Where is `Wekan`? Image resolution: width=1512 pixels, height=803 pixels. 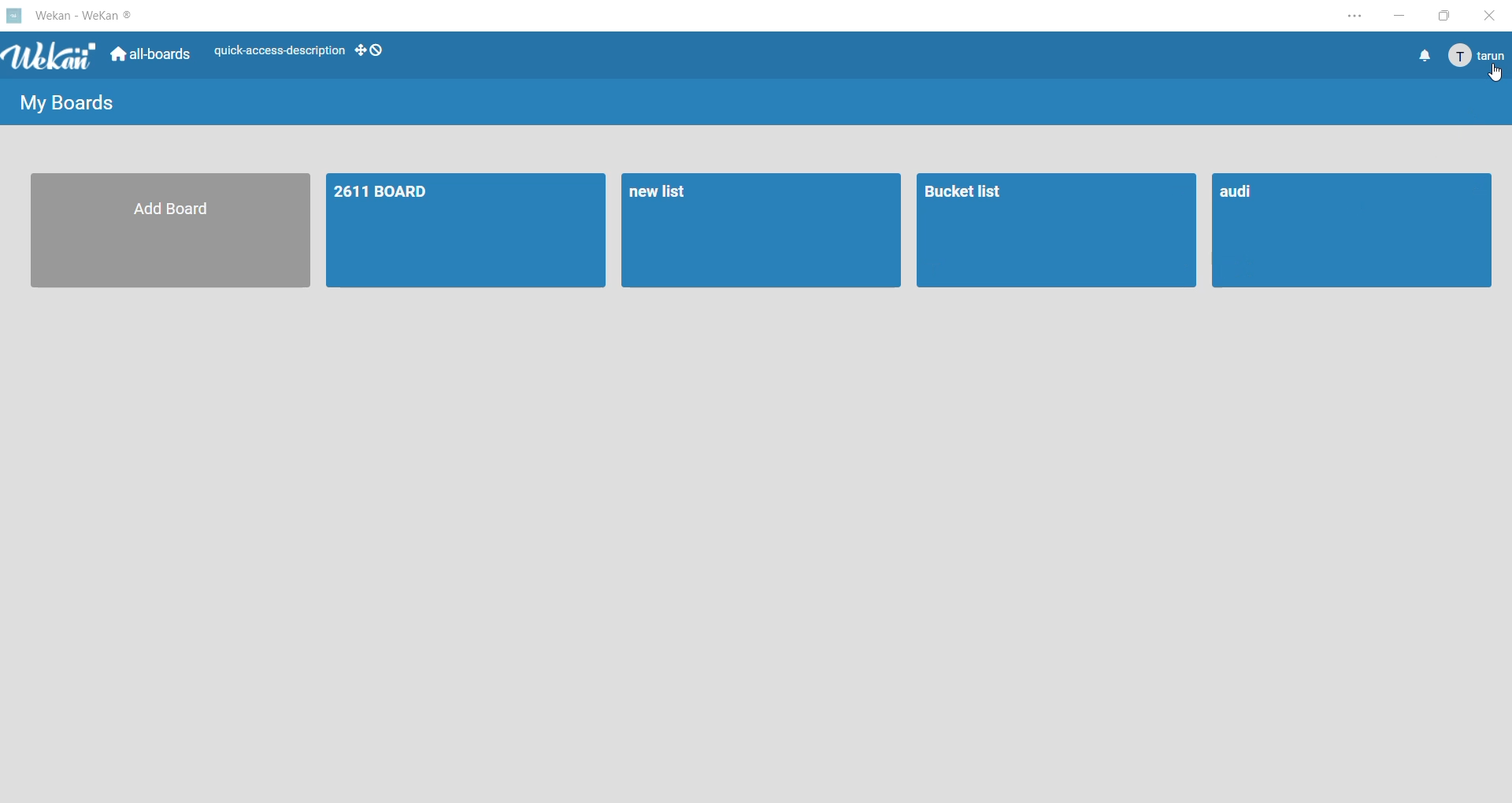 Wekan is located at coordinates (52, 54).